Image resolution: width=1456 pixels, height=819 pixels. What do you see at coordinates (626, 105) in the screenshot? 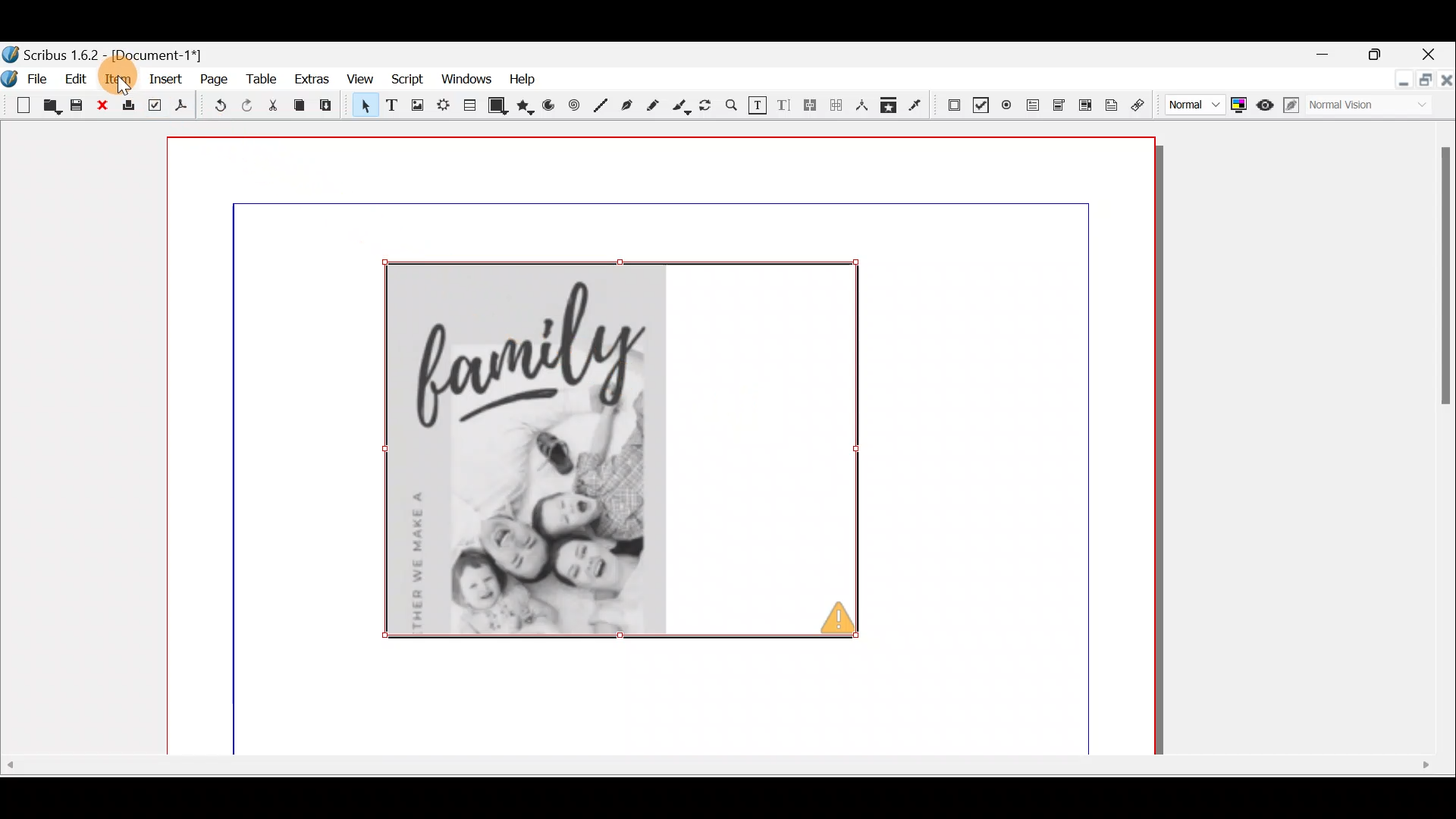
I see `Bezier curver` at bounding box center [626, 105].